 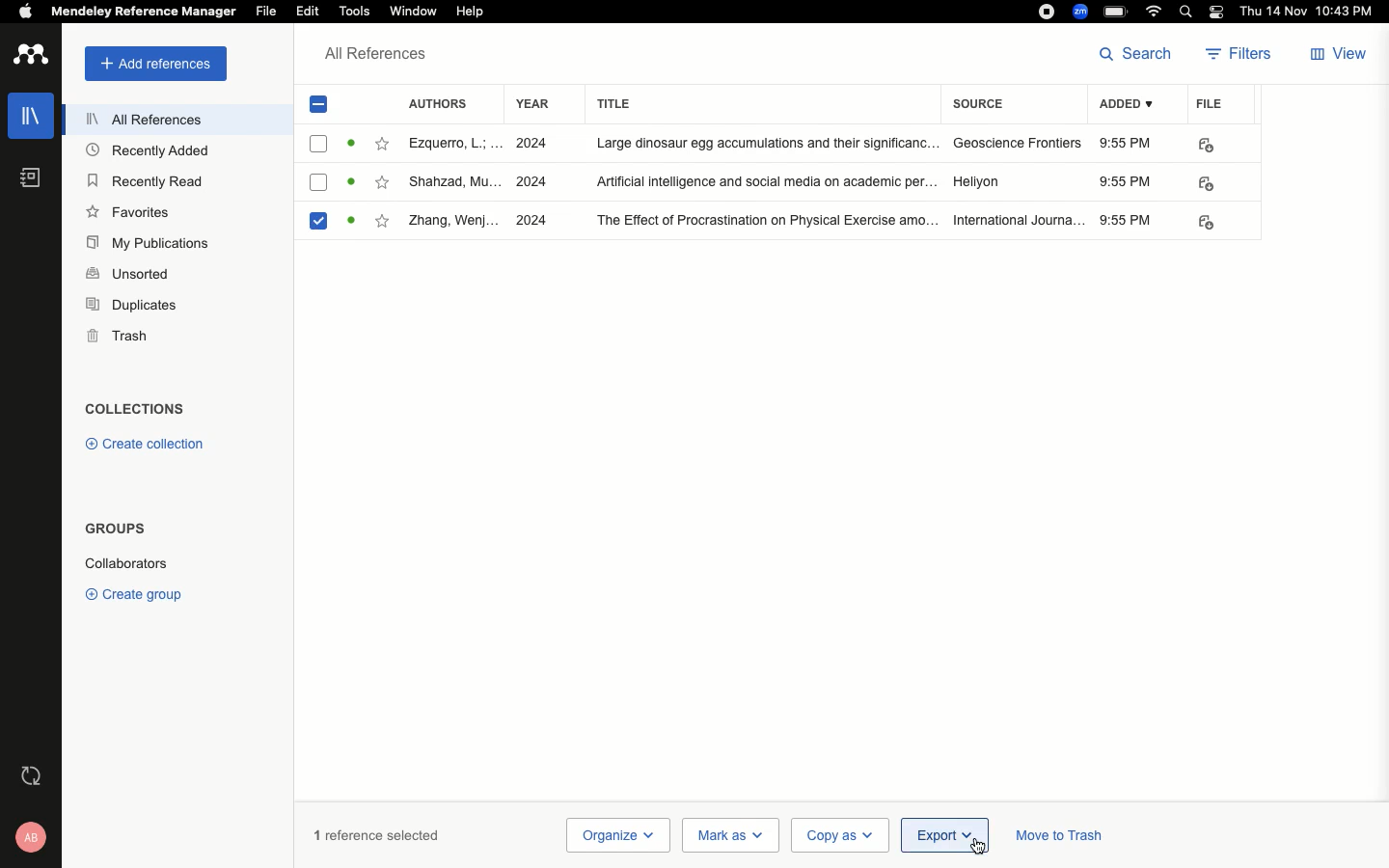 I want to click on Logo, so click(x=31, y=56).